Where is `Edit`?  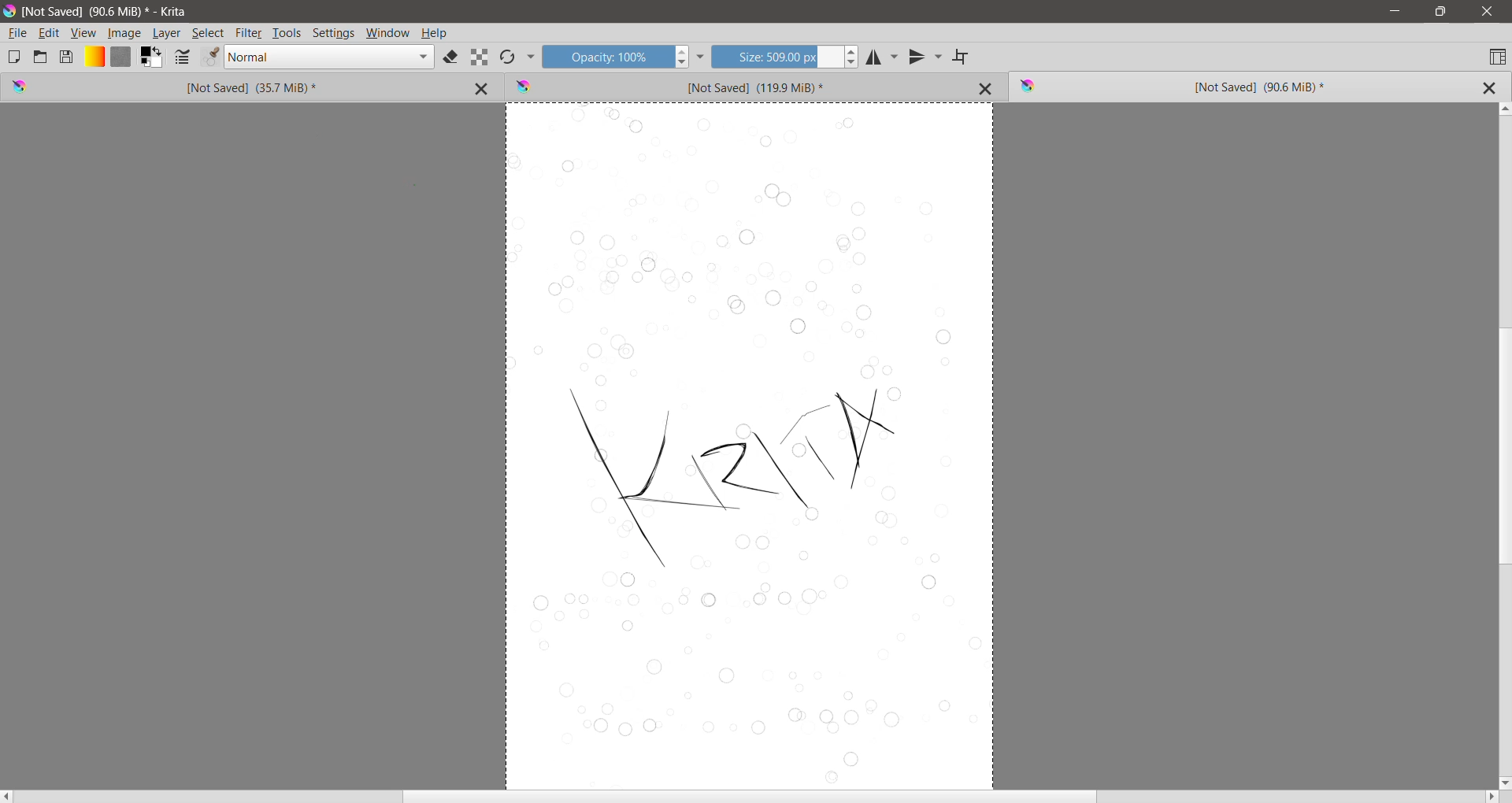 Edit is located at coordinates (50, 34).